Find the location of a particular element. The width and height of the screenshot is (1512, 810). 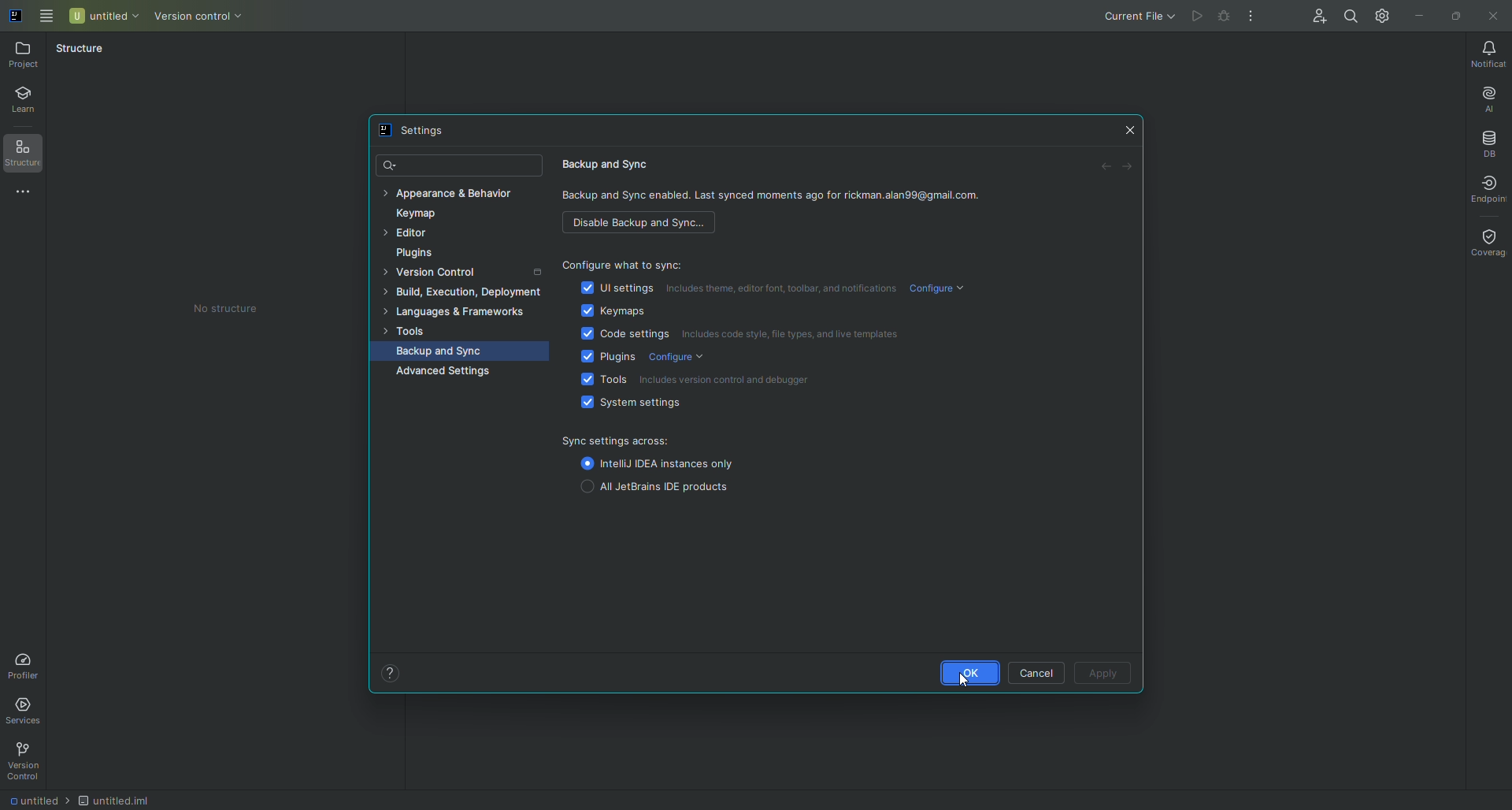

Mouse is located at coordinates (973, 681).